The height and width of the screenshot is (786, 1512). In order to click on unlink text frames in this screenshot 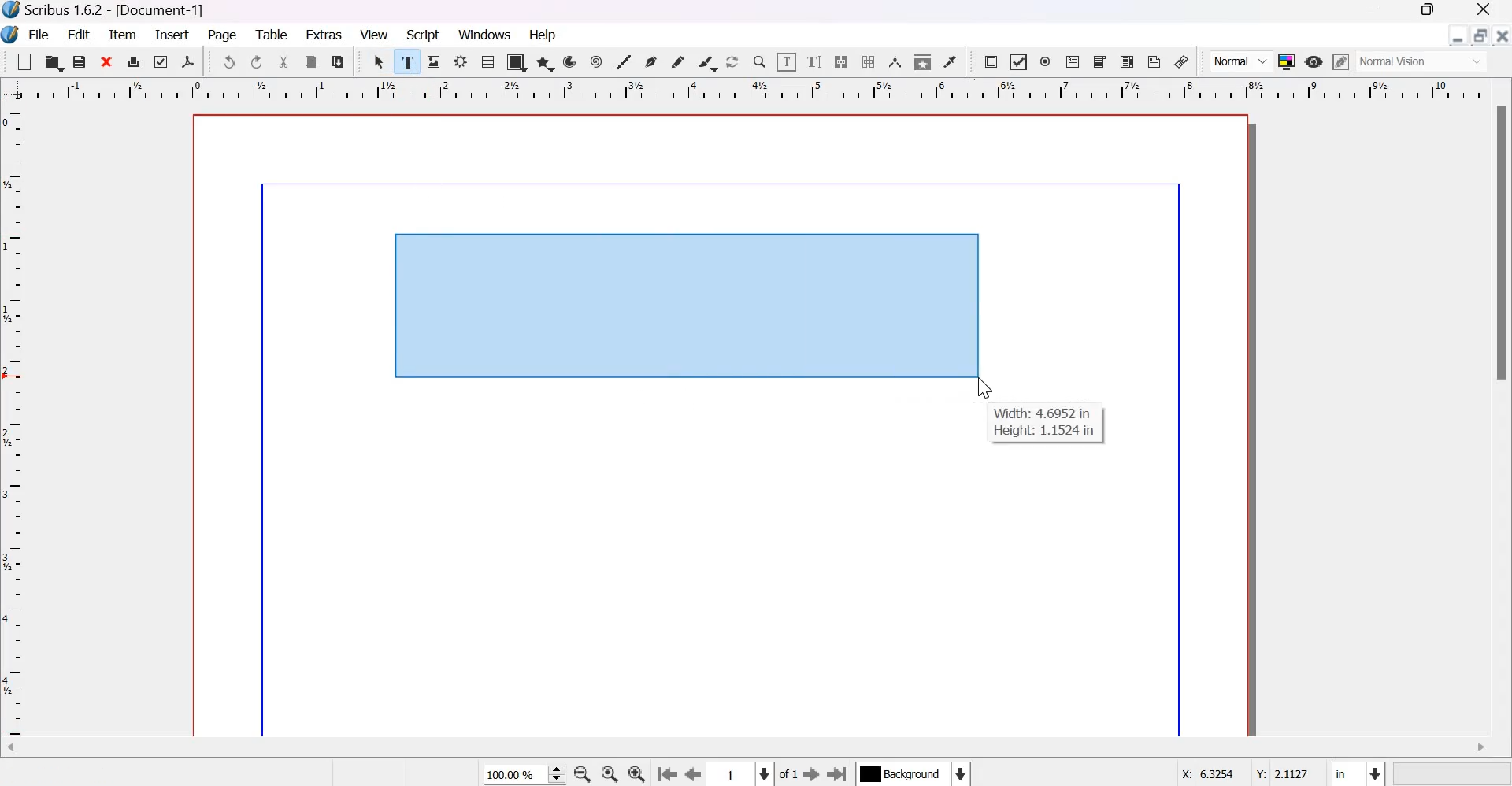, I will do `click(867, 61)`.